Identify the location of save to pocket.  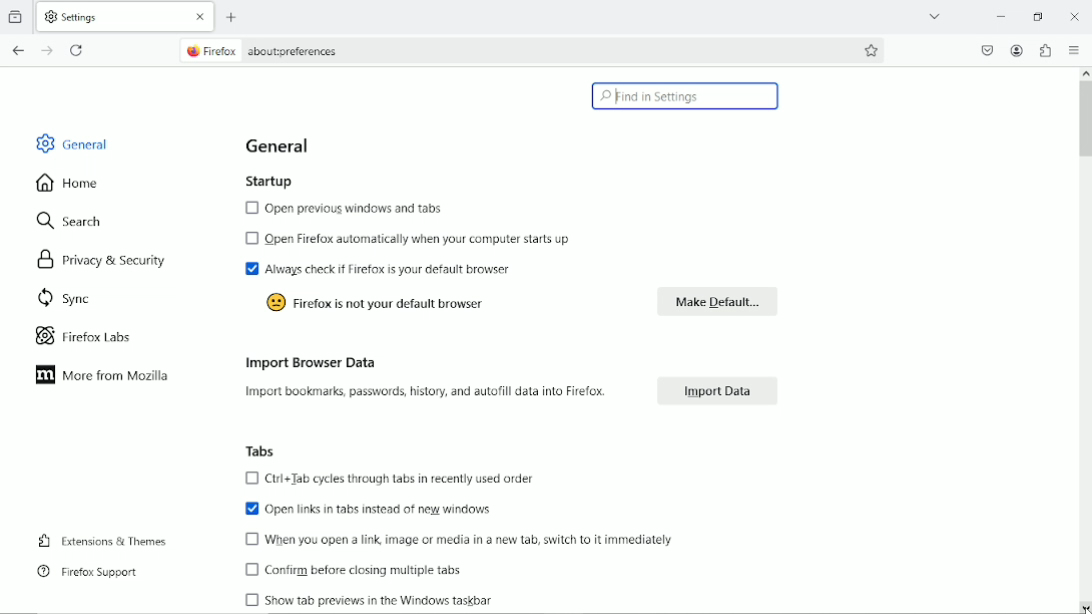
(987, 51).